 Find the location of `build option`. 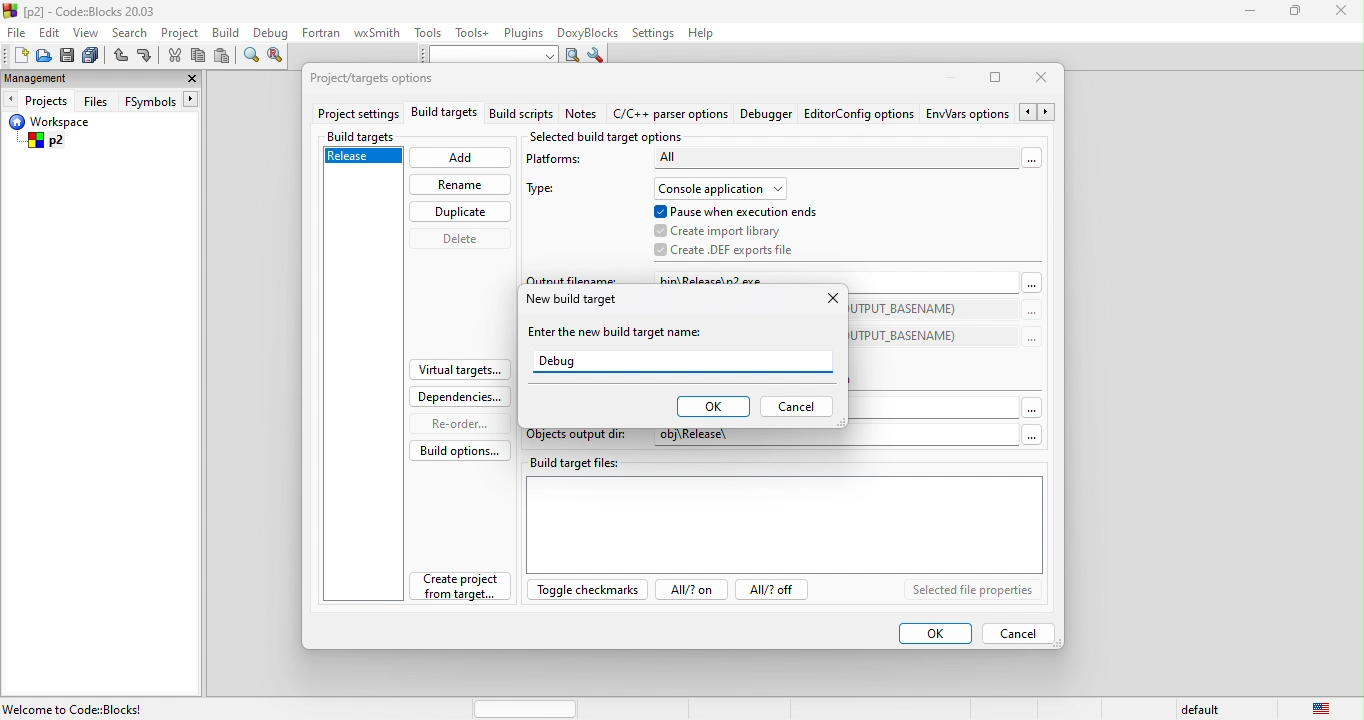

build option is located at coordinates (454, 449).